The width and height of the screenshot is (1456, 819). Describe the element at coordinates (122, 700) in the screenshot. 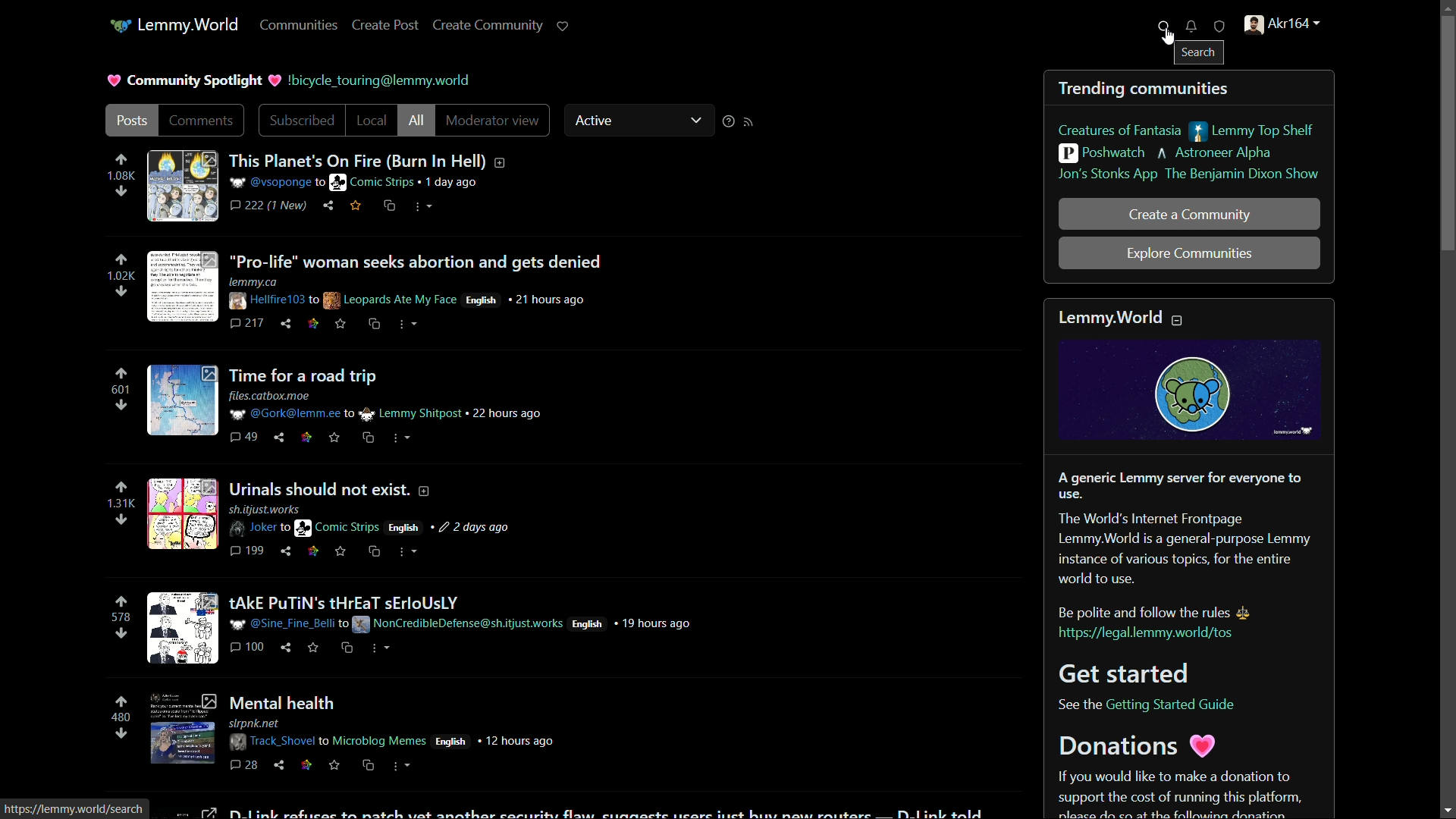

I see `upvote` at that location.